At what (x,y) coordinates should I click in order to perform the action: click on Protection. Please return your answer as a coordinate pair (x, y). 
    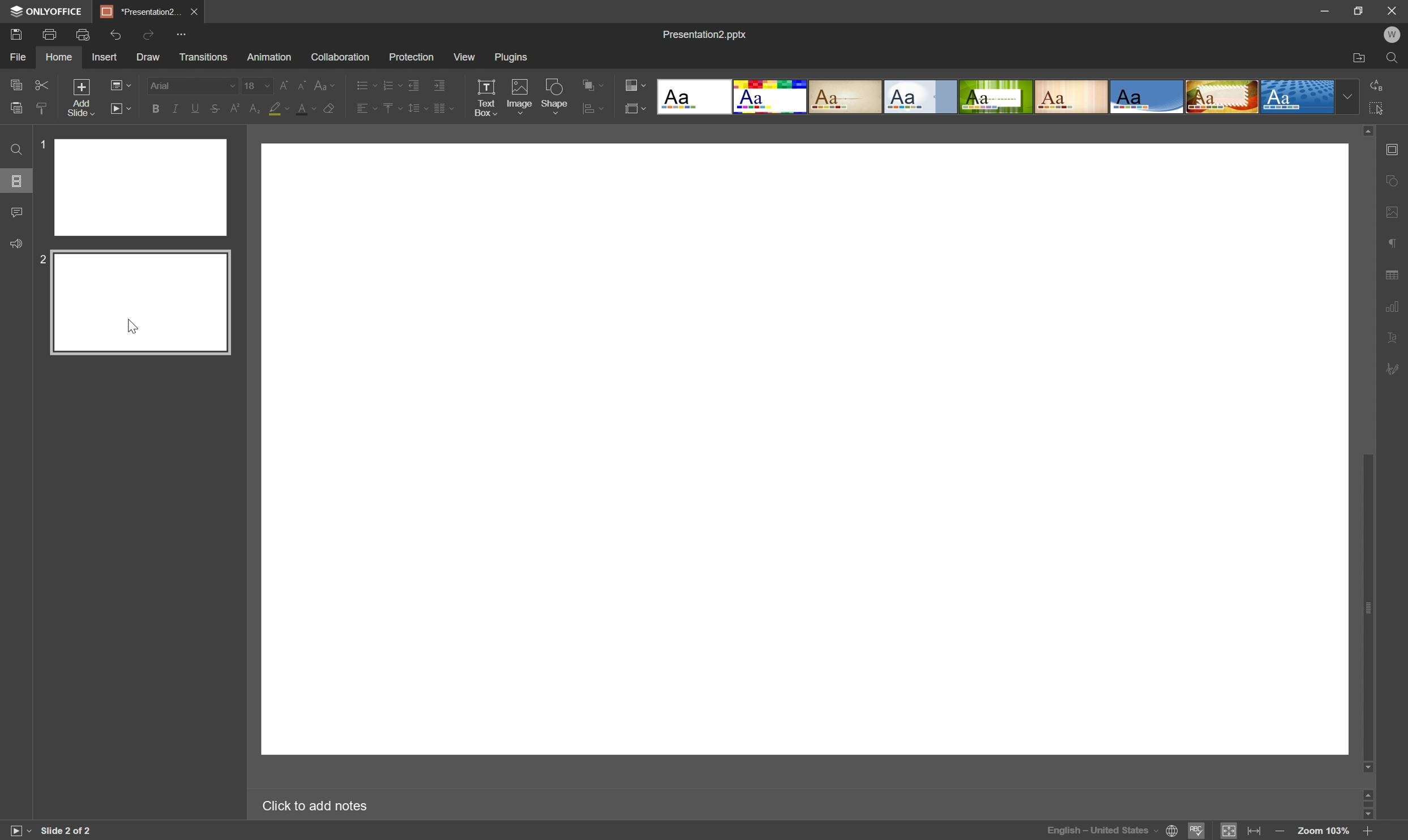
    Looking at the image, I should click on (409, 56).